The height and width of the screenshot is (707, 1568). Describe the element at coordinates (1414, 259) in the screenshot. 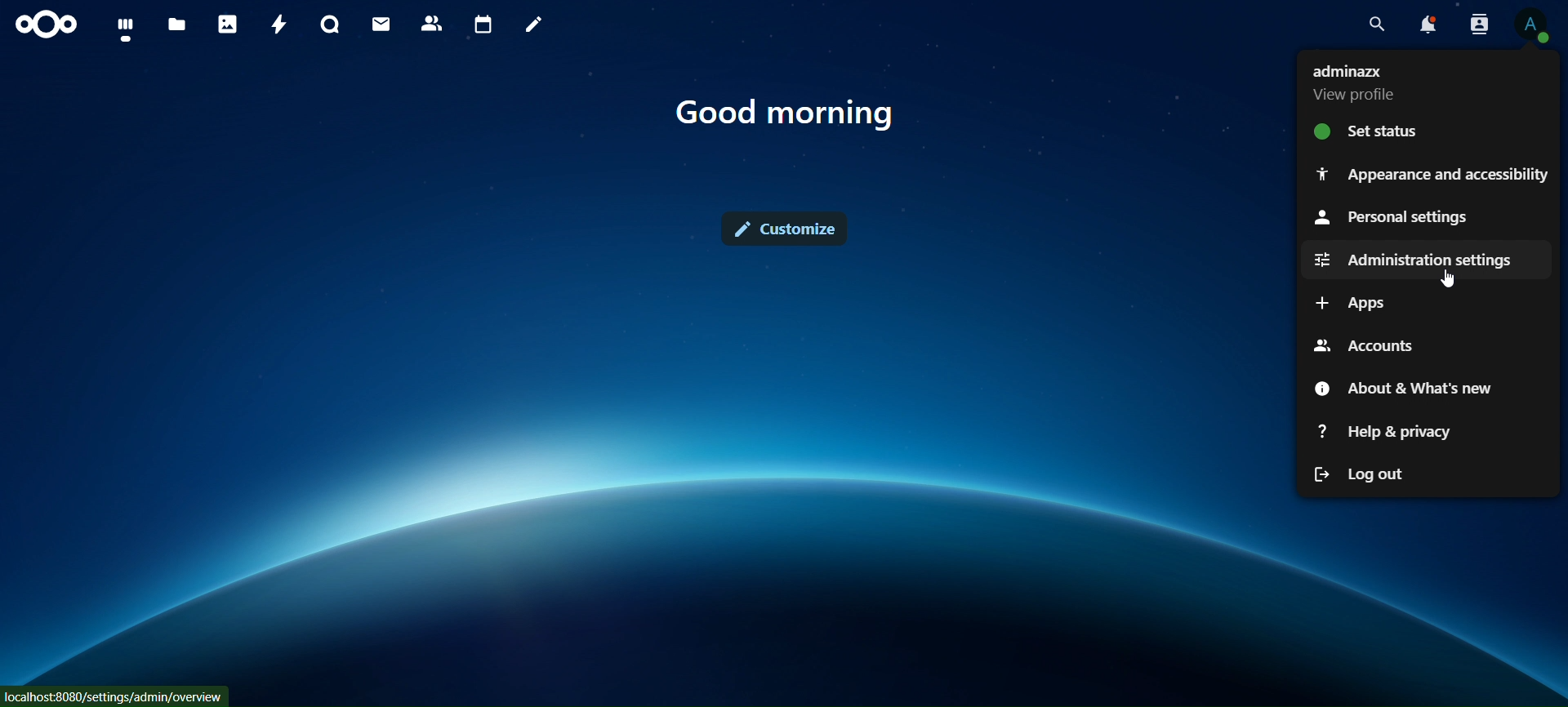

I see `administration settings` at that location.